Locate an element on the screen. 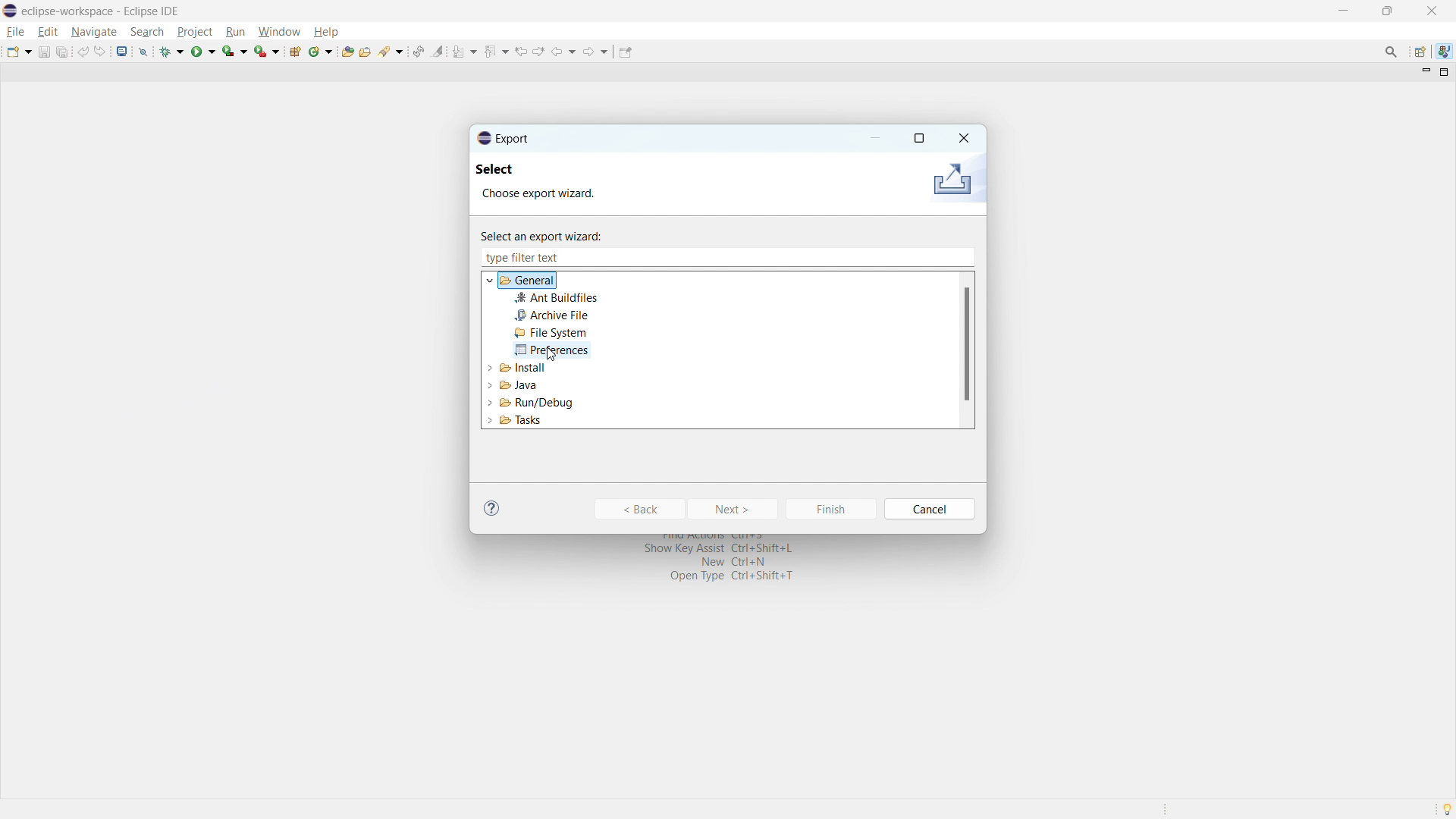  save all is located at coordinates (62, 52).